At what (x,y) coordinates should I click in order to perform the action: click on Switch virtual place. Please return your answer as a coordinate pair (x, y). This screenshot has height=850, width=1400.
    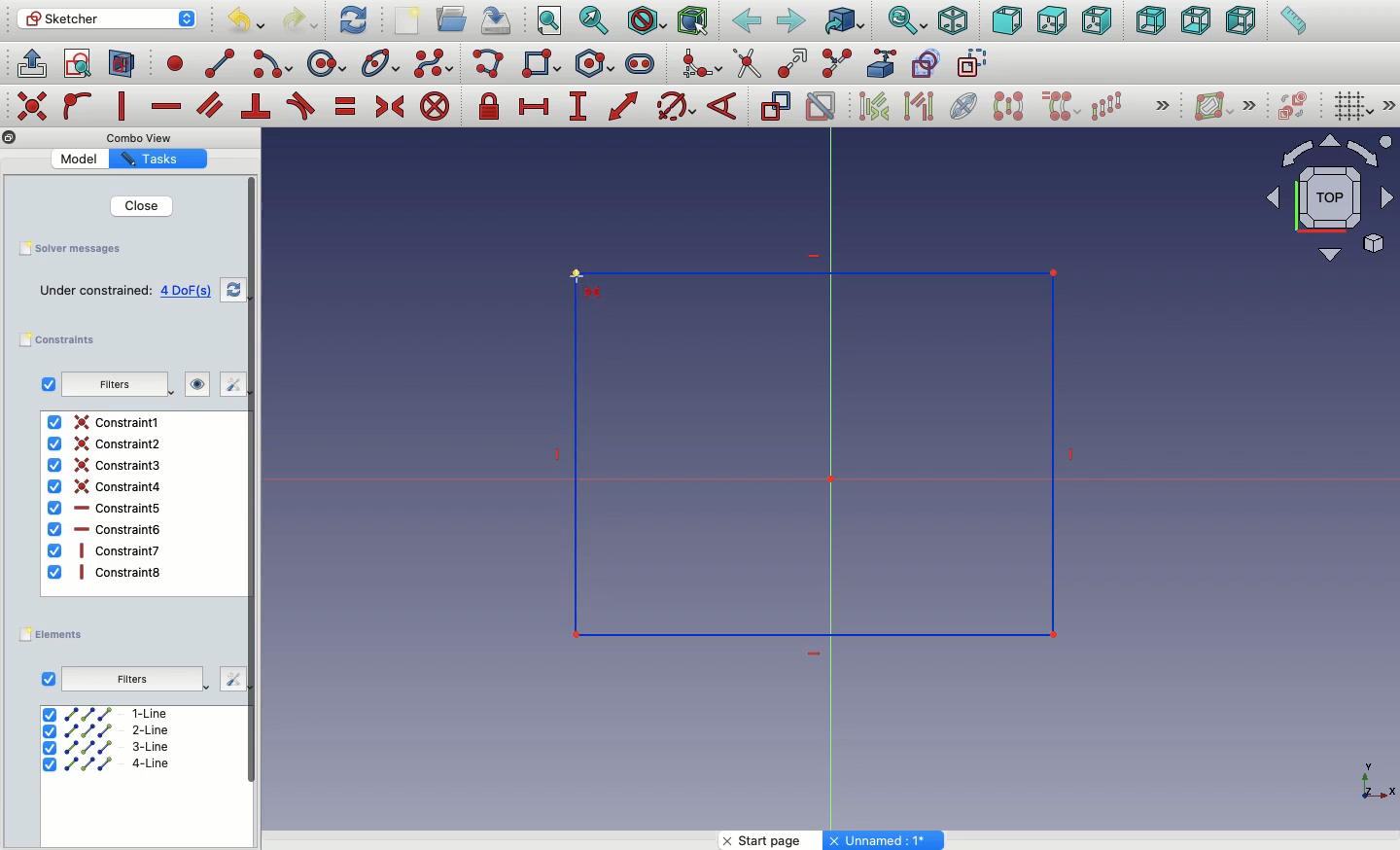
    Looking at the image, I should click on (1289, 108).